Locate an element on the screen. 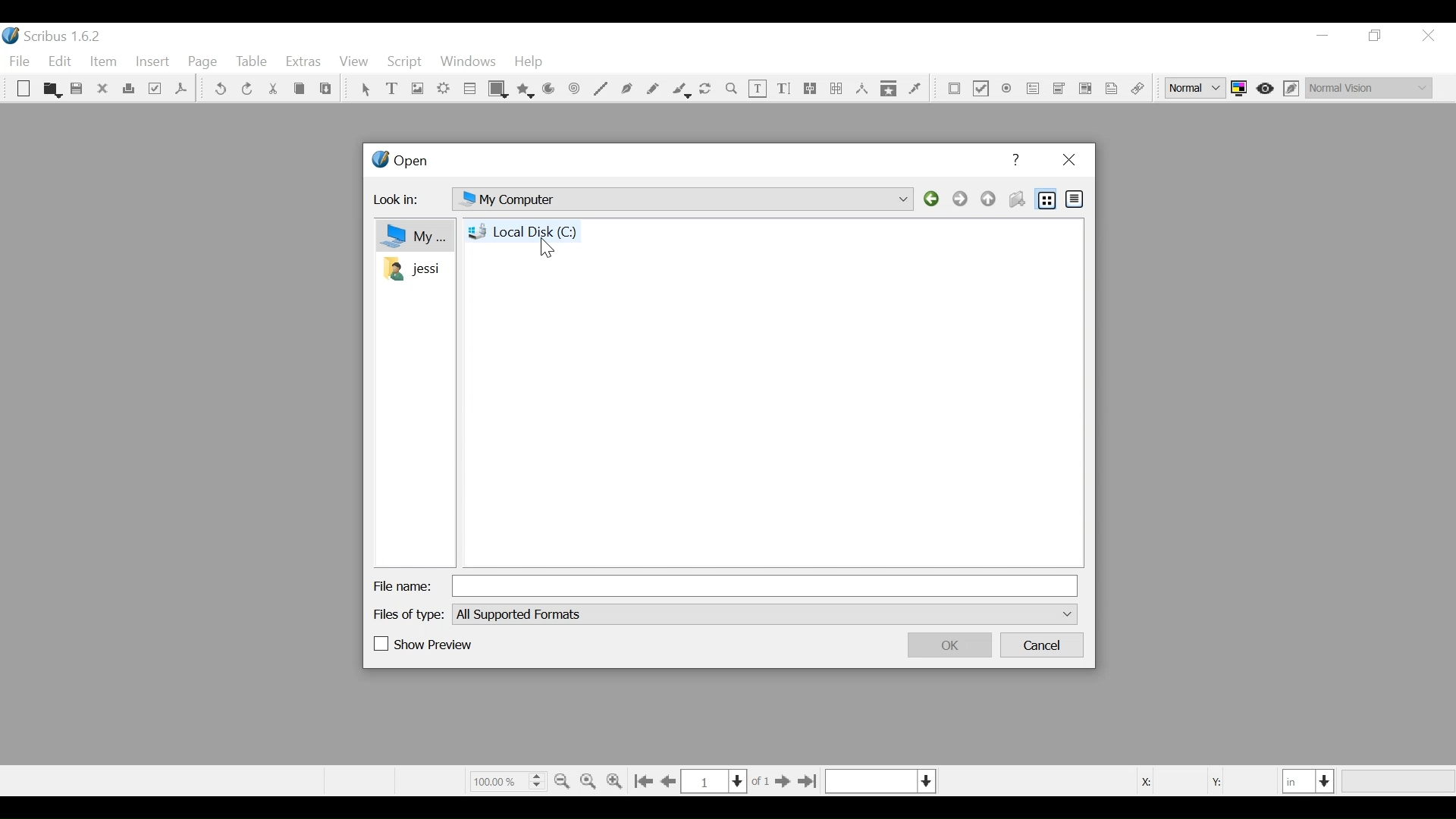 The width and height of the screenshot is (1456, 819). Arc is located at coordinates (549, 90).